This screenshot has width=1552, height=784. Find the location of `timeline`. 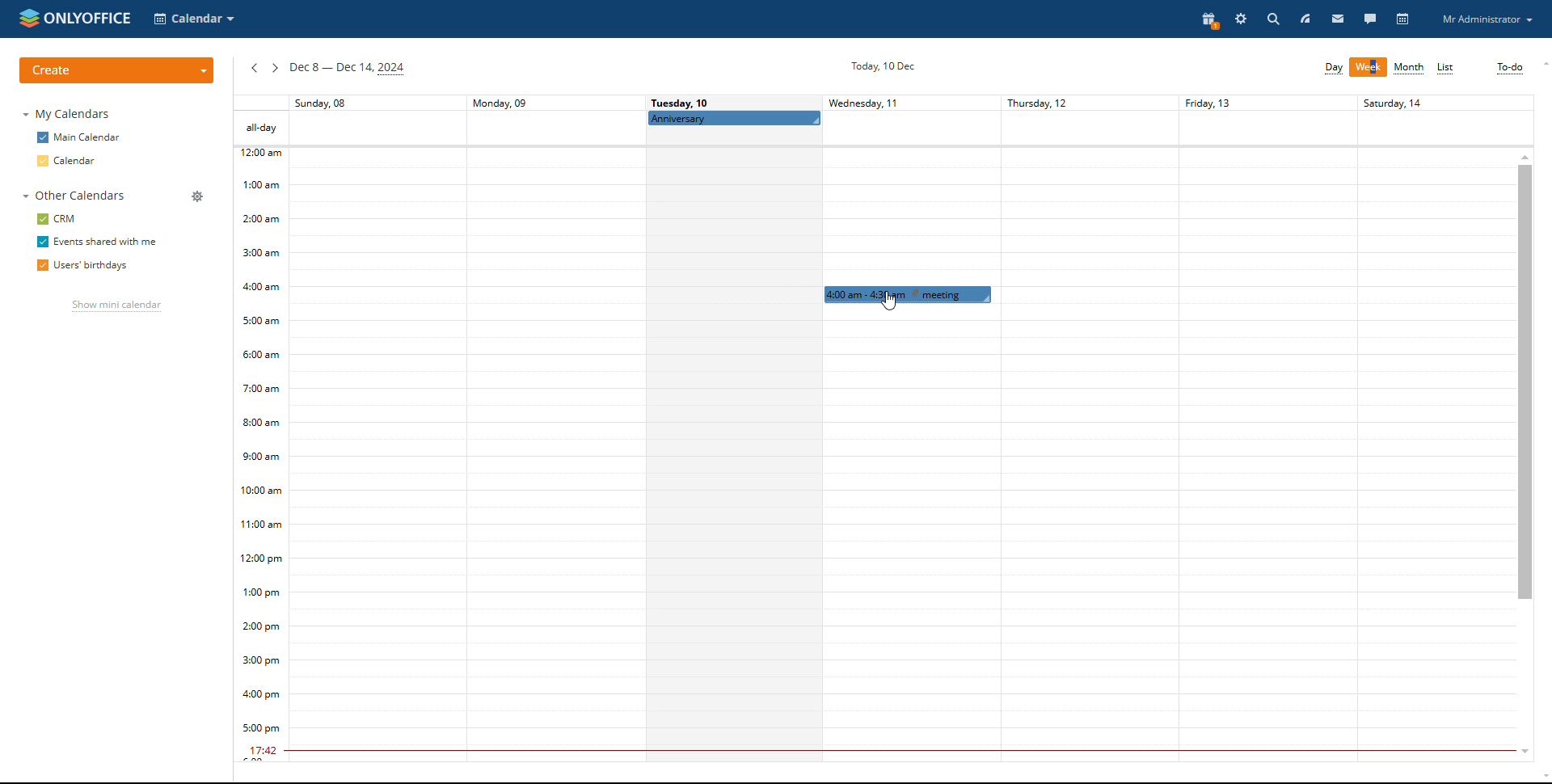

timeline is located at coordinates (260, 455).